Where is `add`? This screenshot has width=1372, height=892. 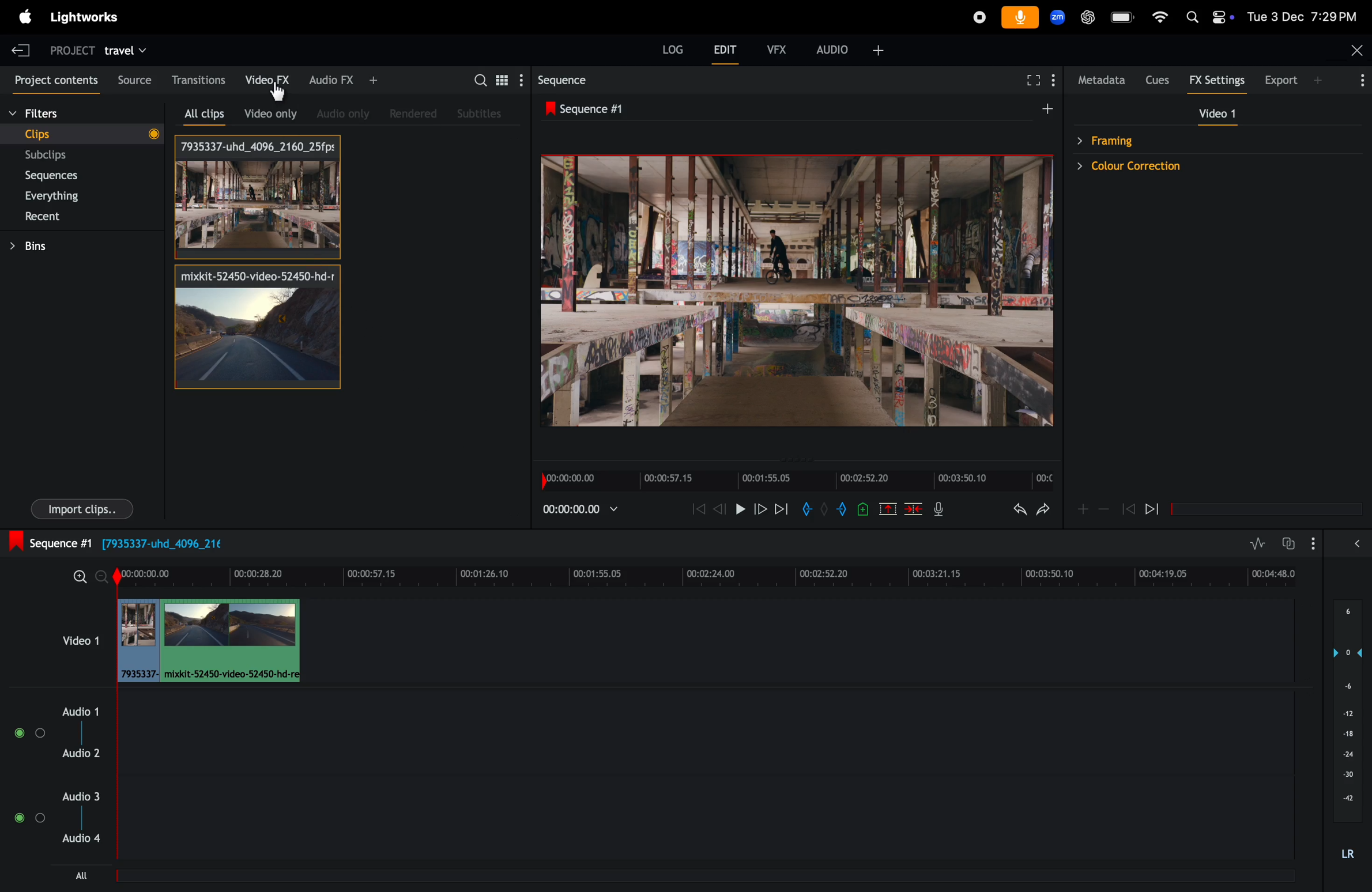 add is located at coordinates (1049, 108).